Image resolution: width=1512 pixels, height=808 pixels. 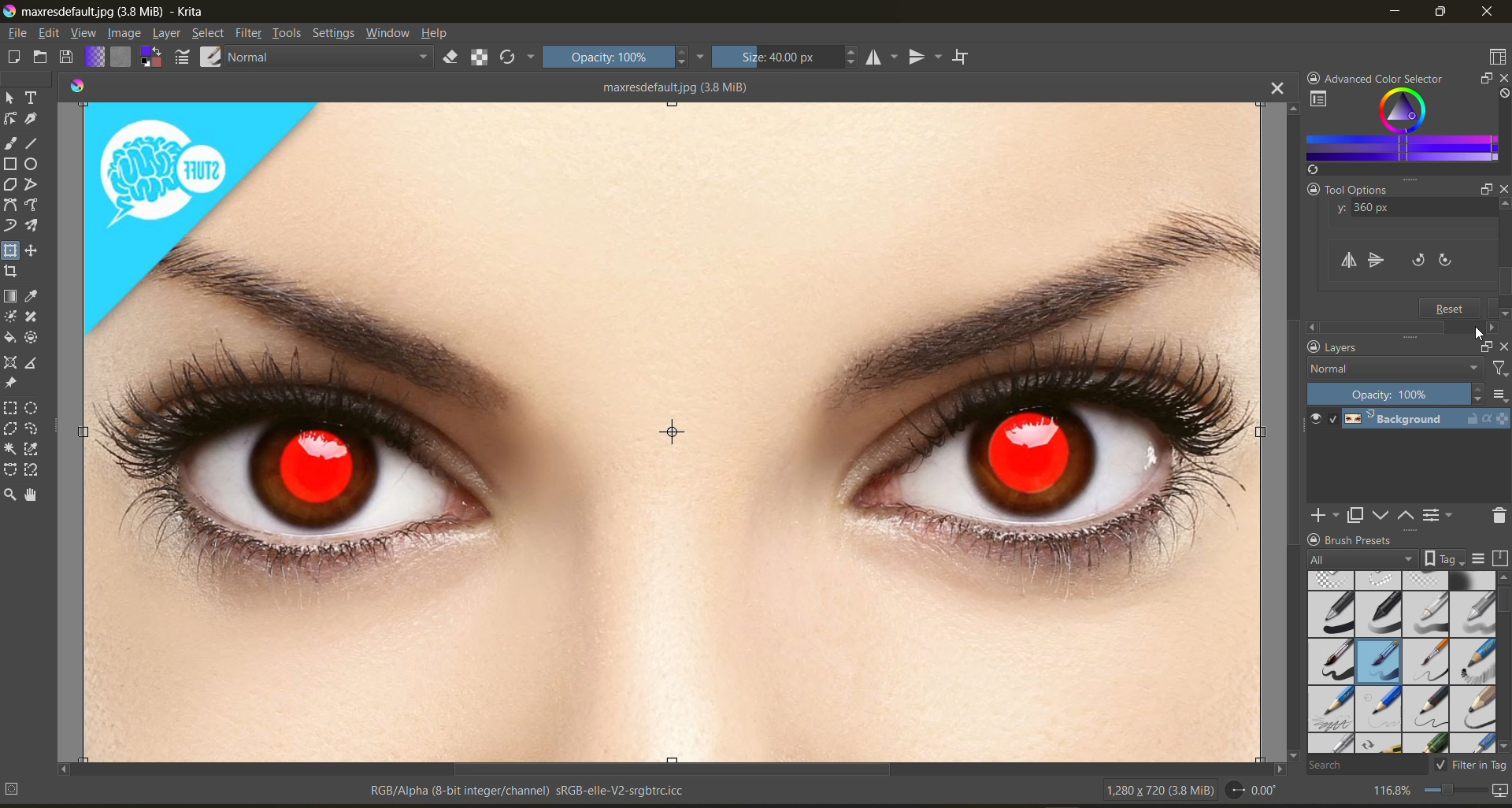 I want to click on zoom, so click(x=1459, y=788).